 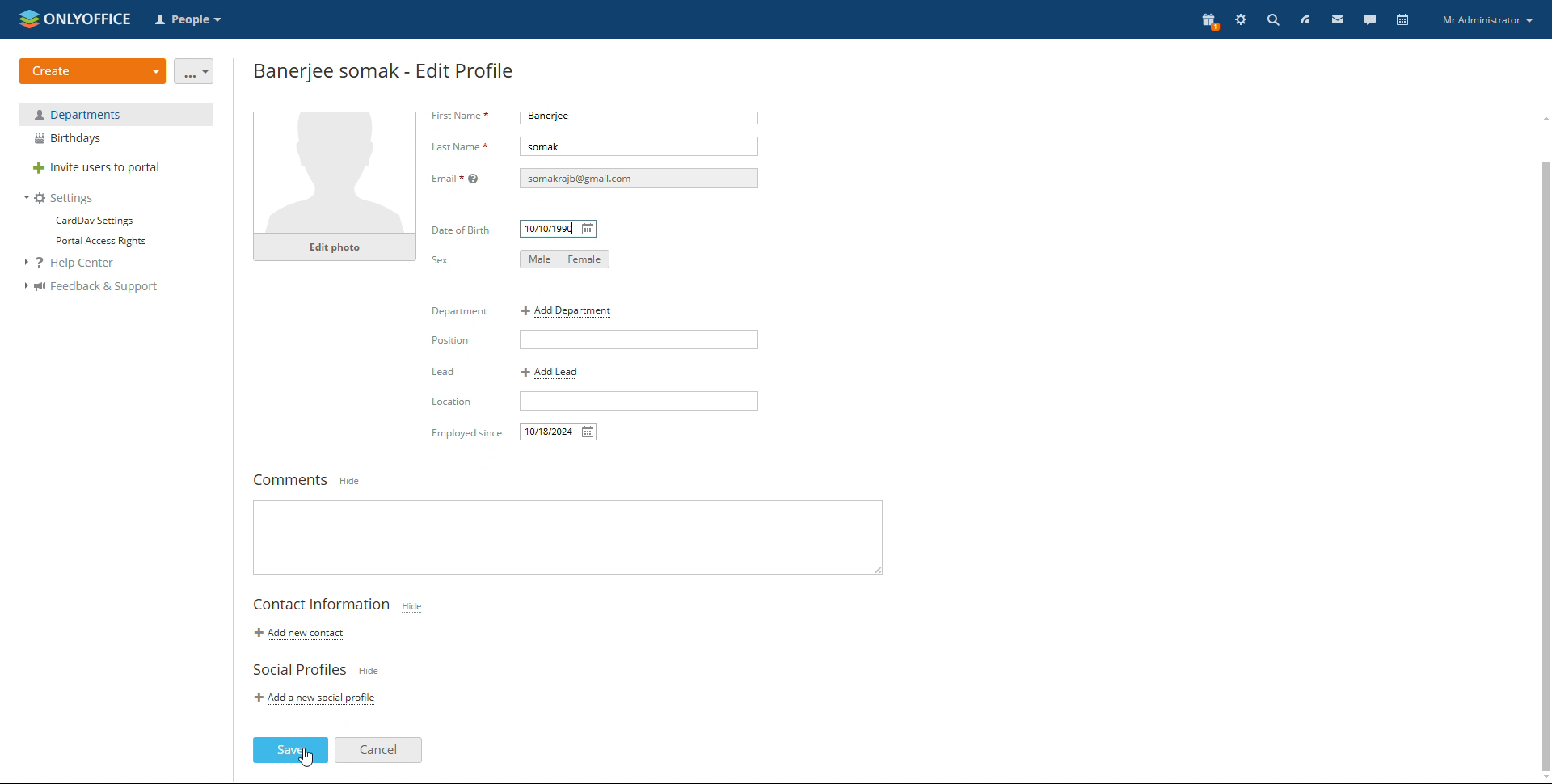 What do you see at coordinates (116, 169) in the screenshot?
I see `invite users to portal` at bounding box center [116, 169].